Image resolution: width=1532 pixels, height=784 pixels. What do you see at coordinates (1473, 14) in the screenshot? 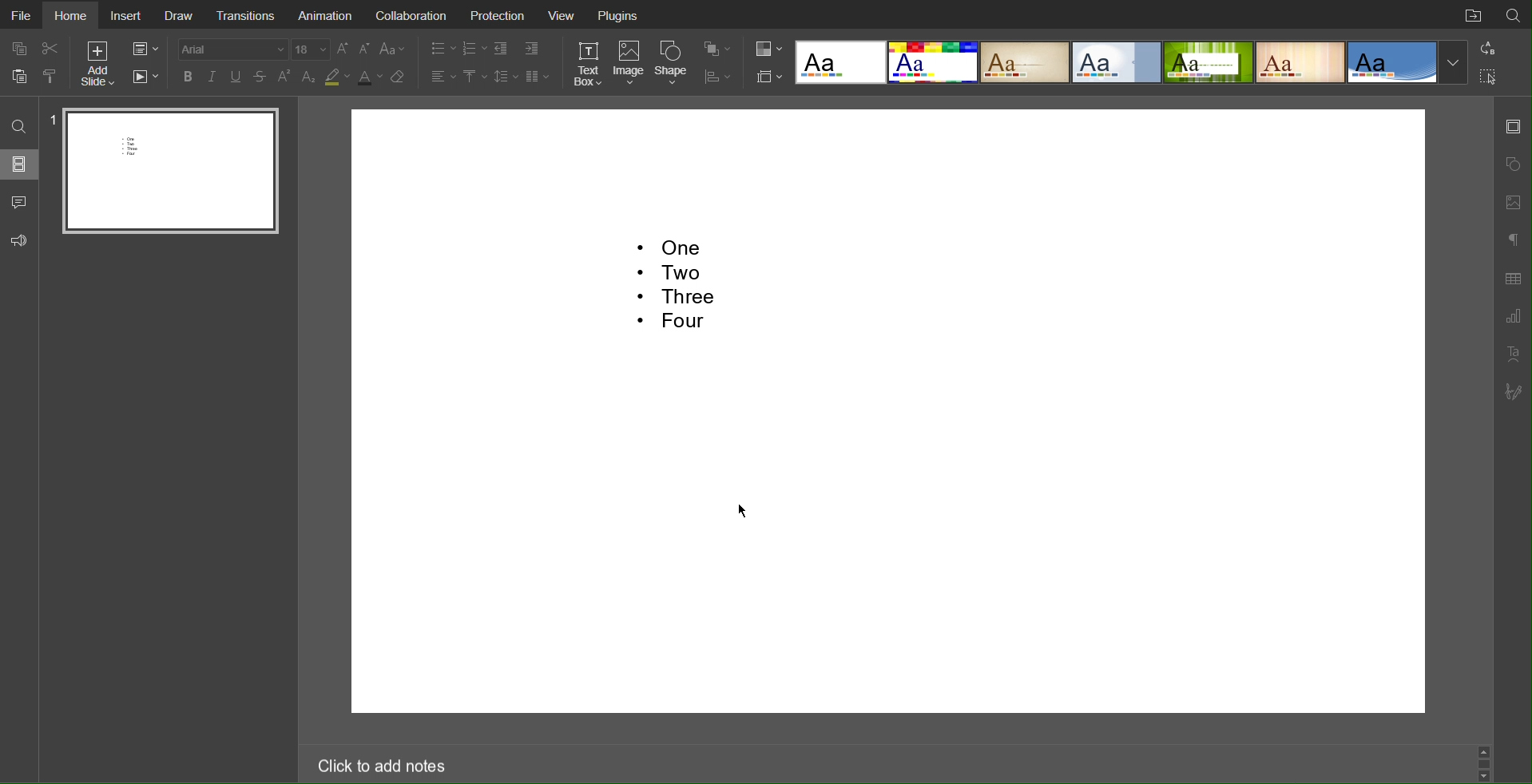
I see `Open File Location` at bounding box center [1473, 14].